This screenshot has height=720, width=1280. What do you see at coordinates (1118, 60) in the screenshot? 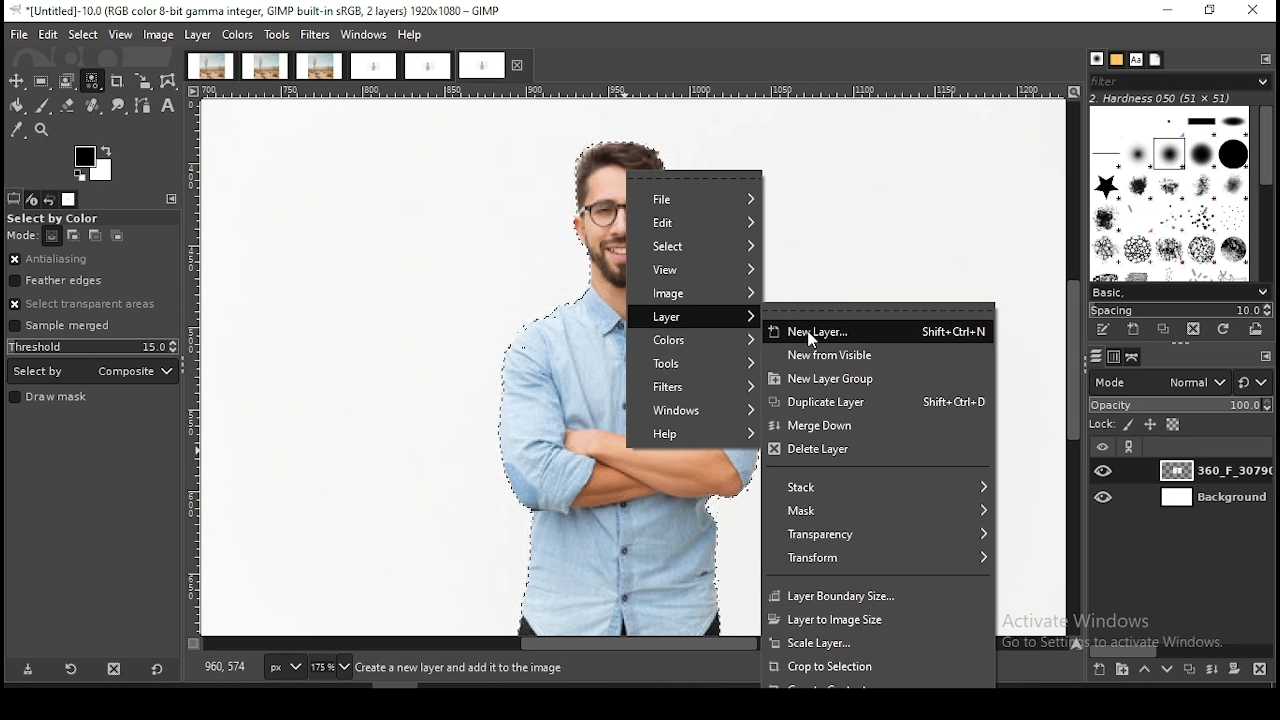
I see `patterns` at bounding box center [1118, 60].